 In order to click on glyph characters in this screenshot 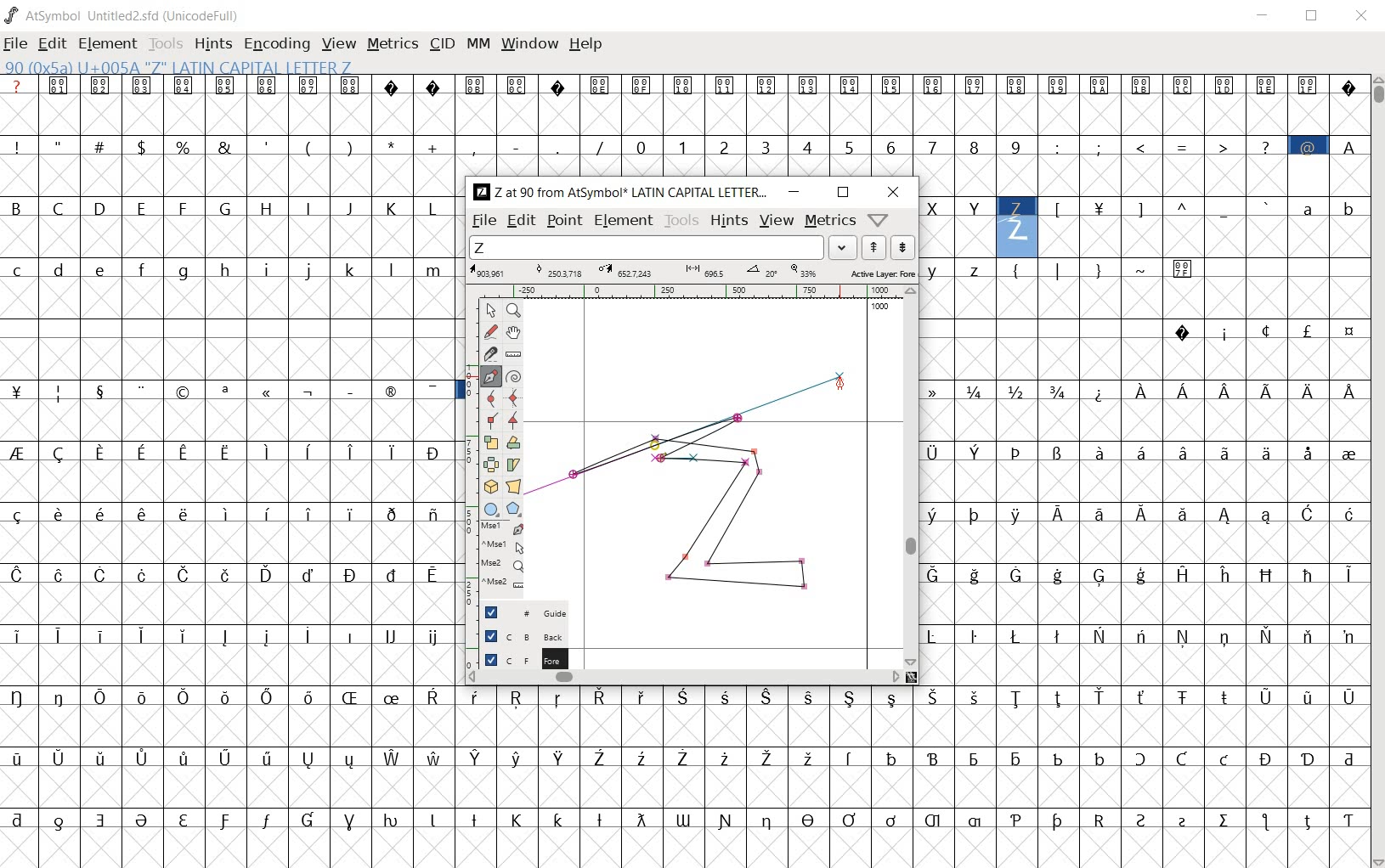, I will do `click(930, 125)`.